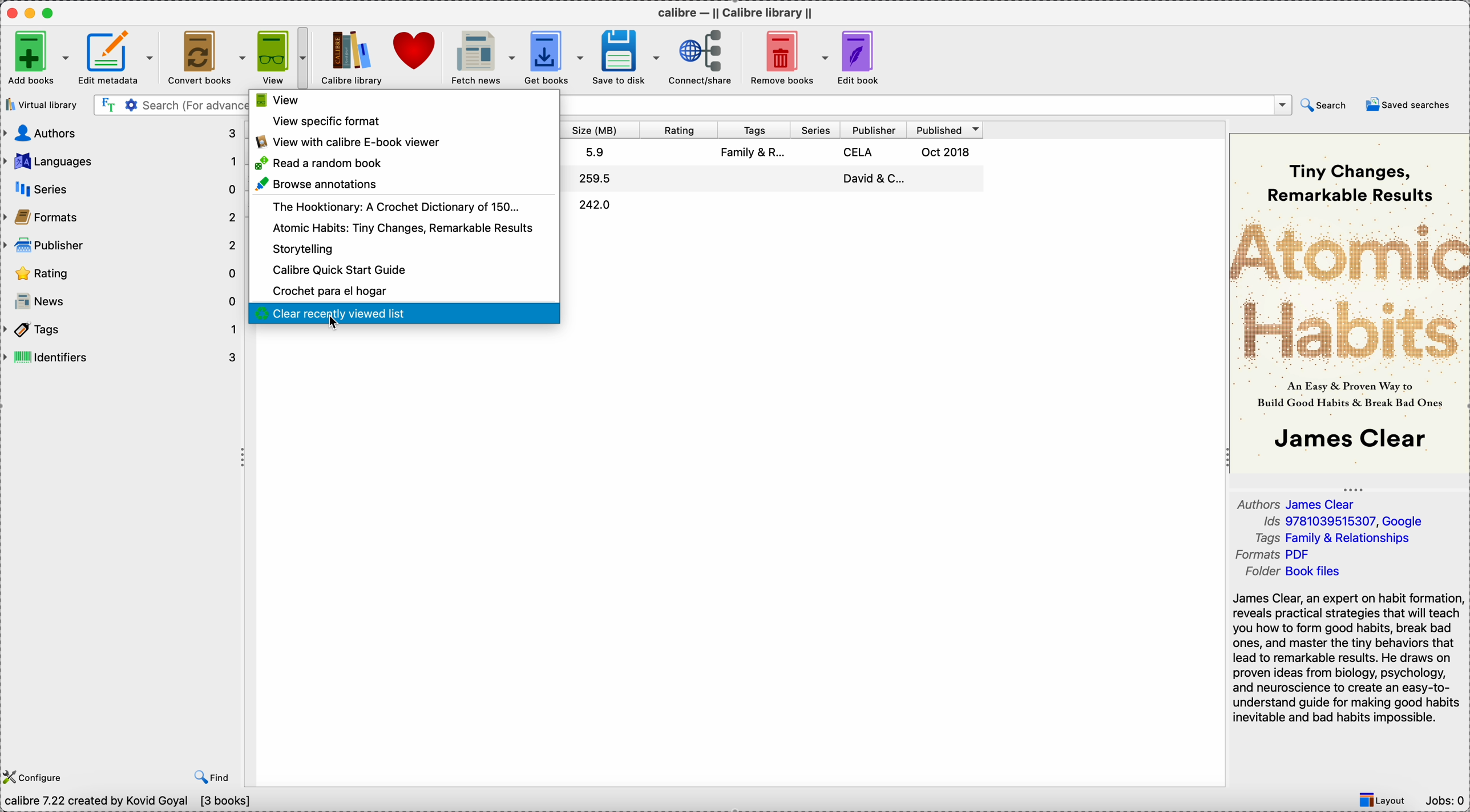  I want to click on Author James Clear, so click(1298, 503).